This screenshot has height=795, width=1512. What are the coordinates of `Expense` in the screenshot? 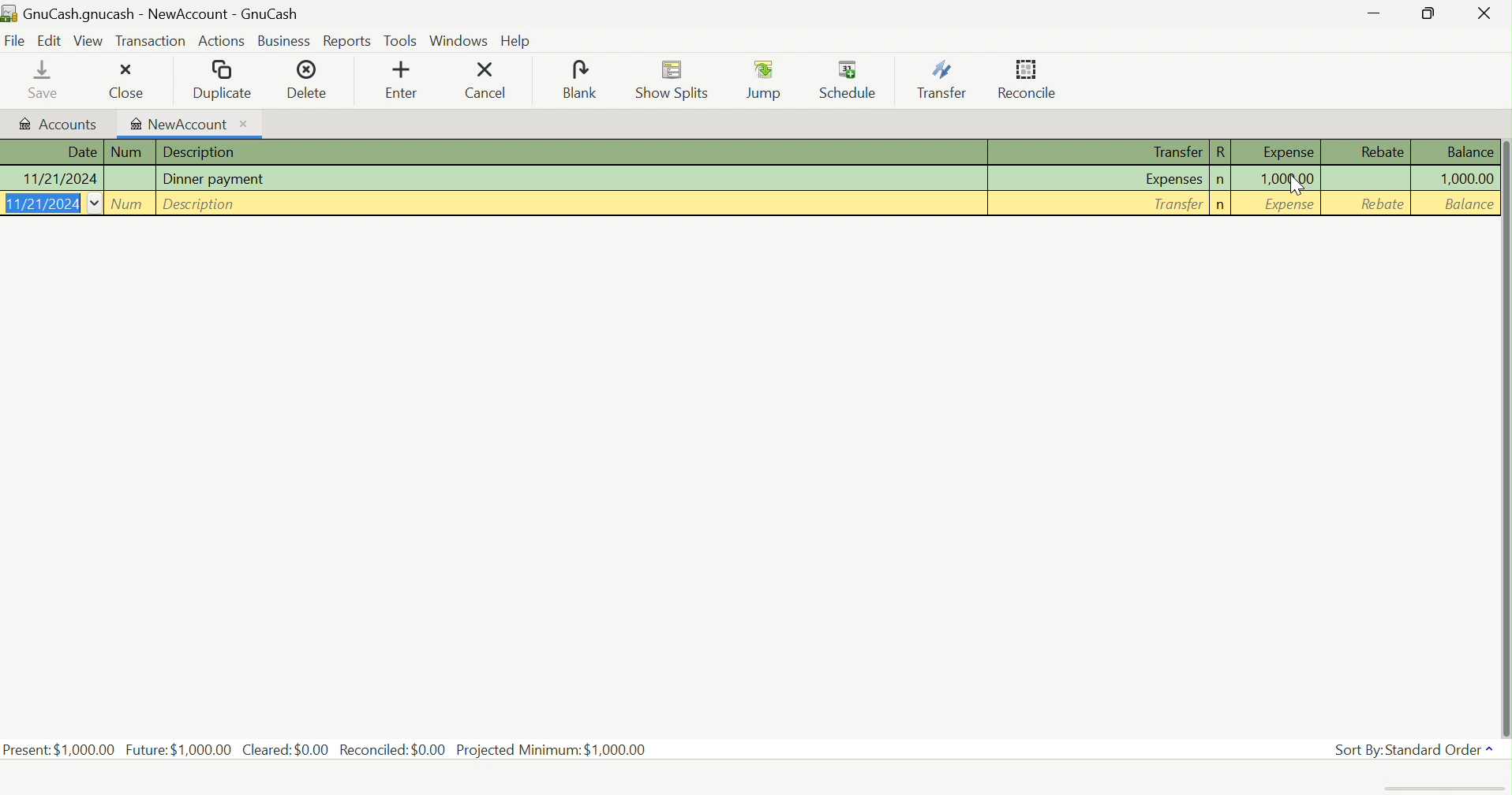 It's located at (1286, 153).